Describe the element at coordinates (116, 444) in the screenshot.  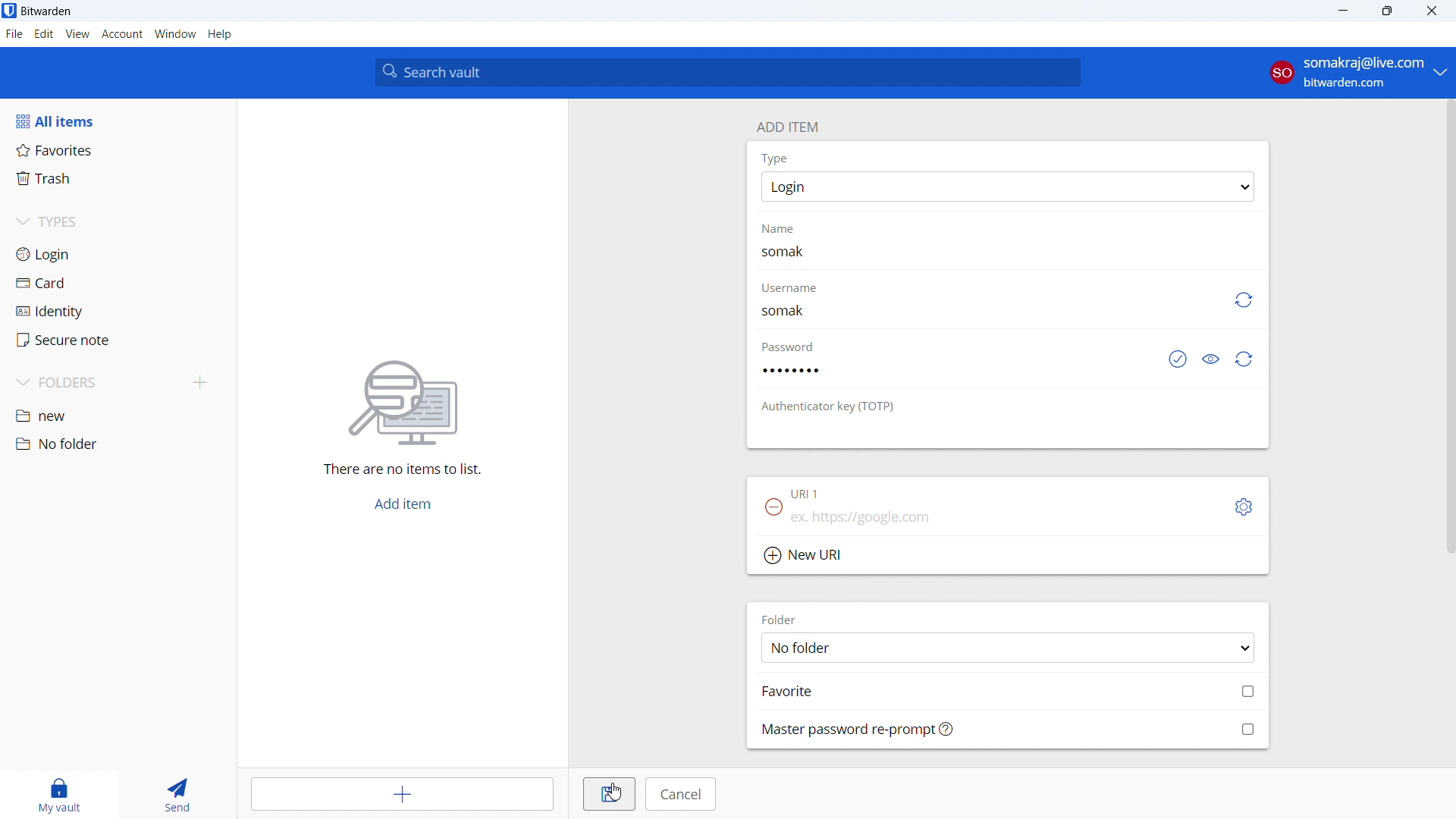
I see `no folder` at that location.